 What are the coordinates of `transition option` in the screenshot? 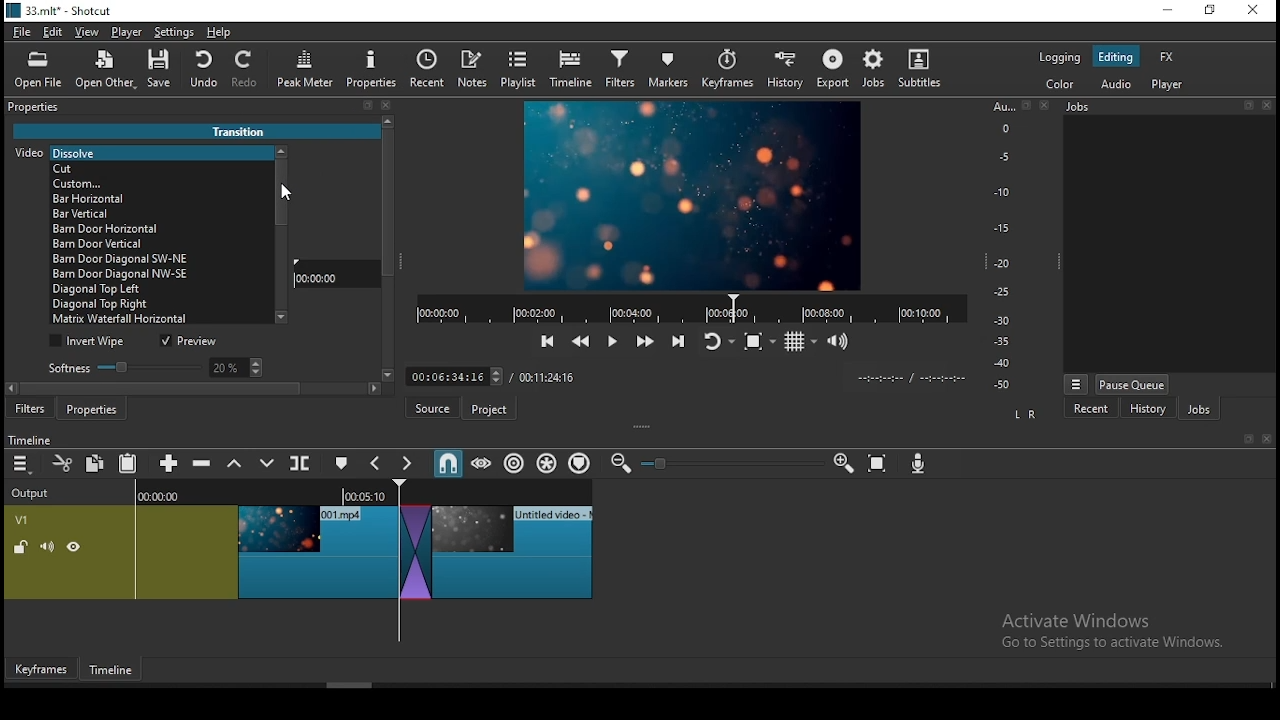 It's located at (159, 229).